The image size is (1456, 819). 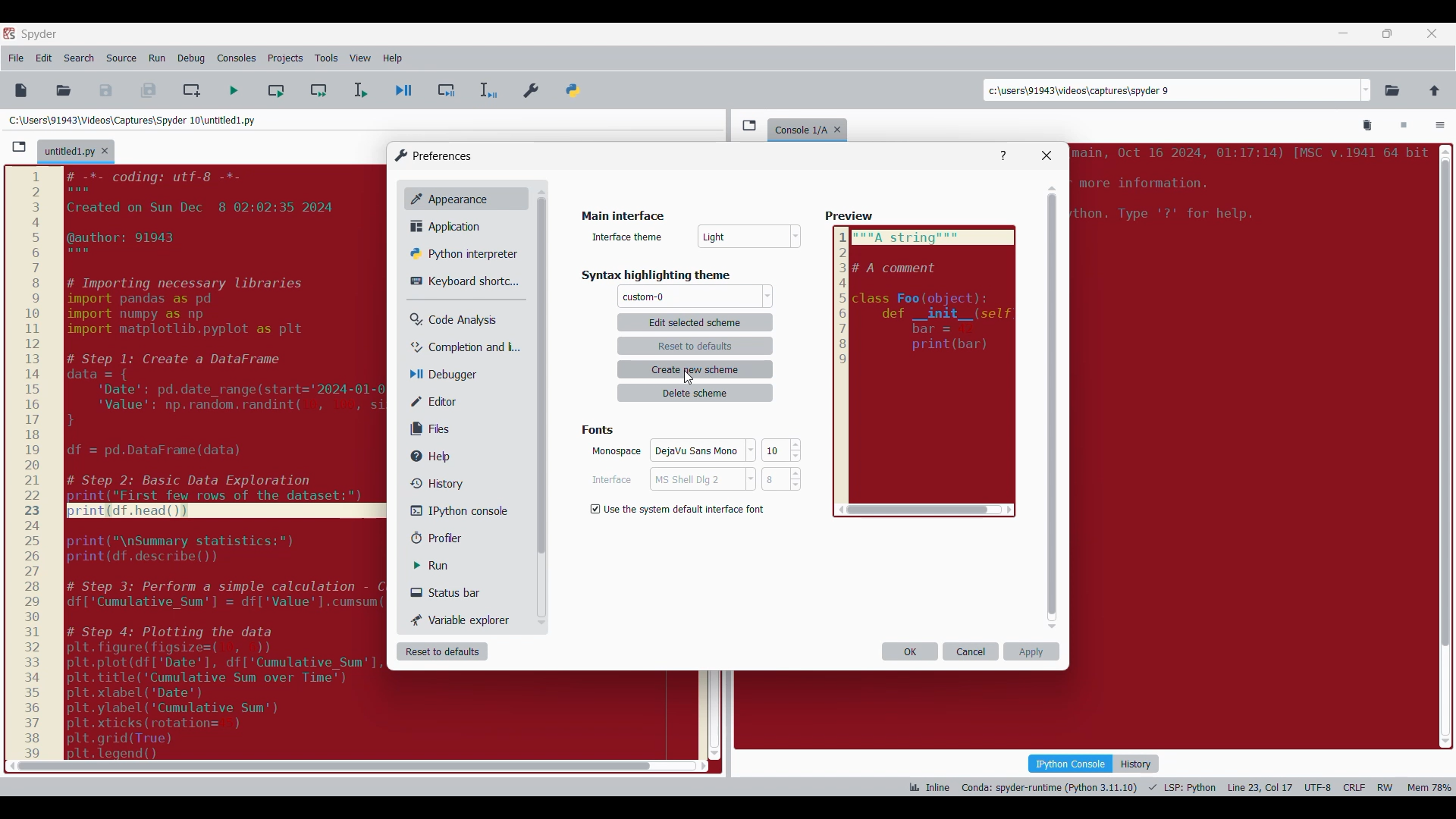 I want to click on File location, so click(x=132, y=120).